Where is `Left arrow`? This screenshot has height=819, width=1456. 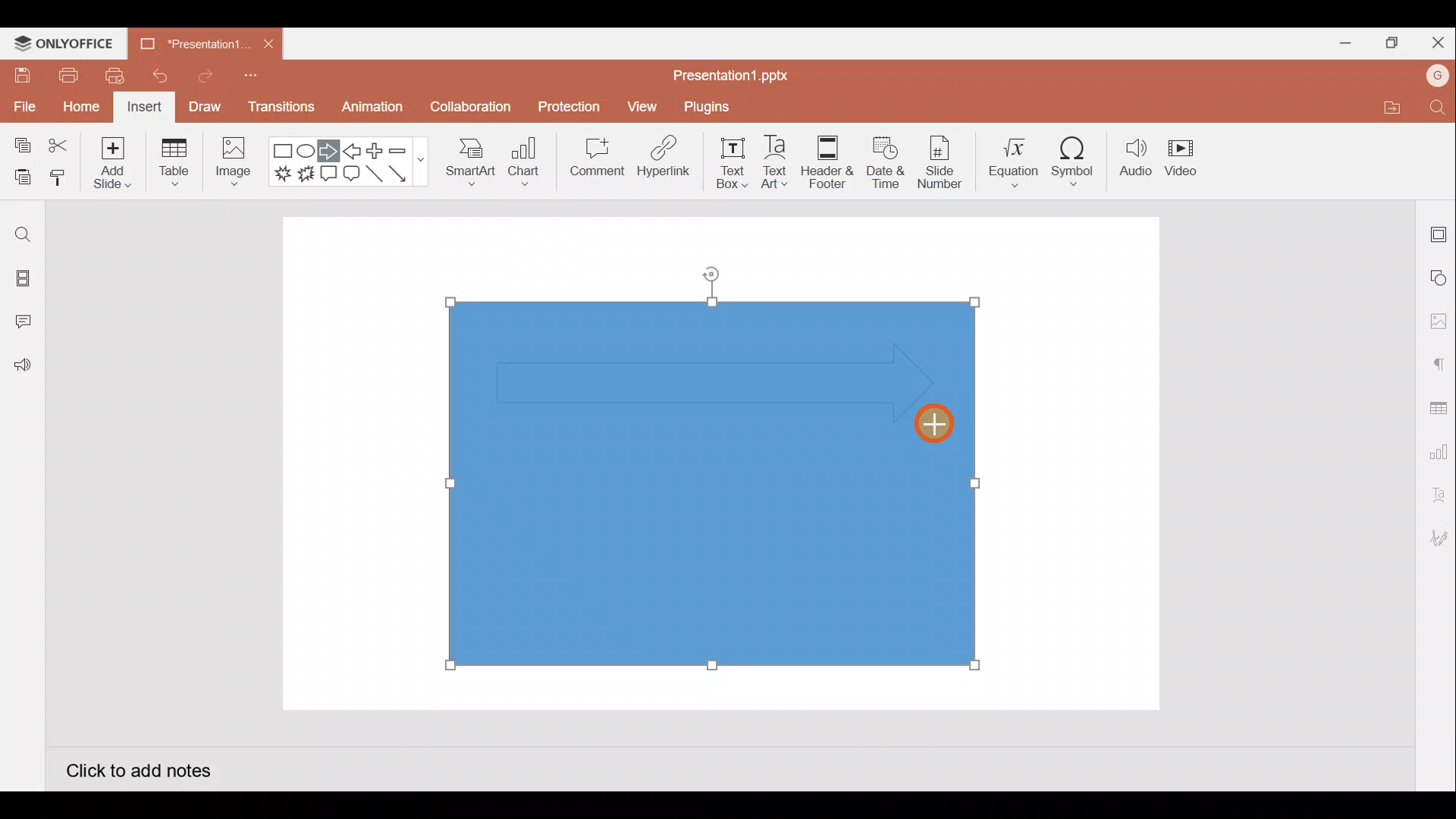
Left arrow is located at coordinates (353, 151).